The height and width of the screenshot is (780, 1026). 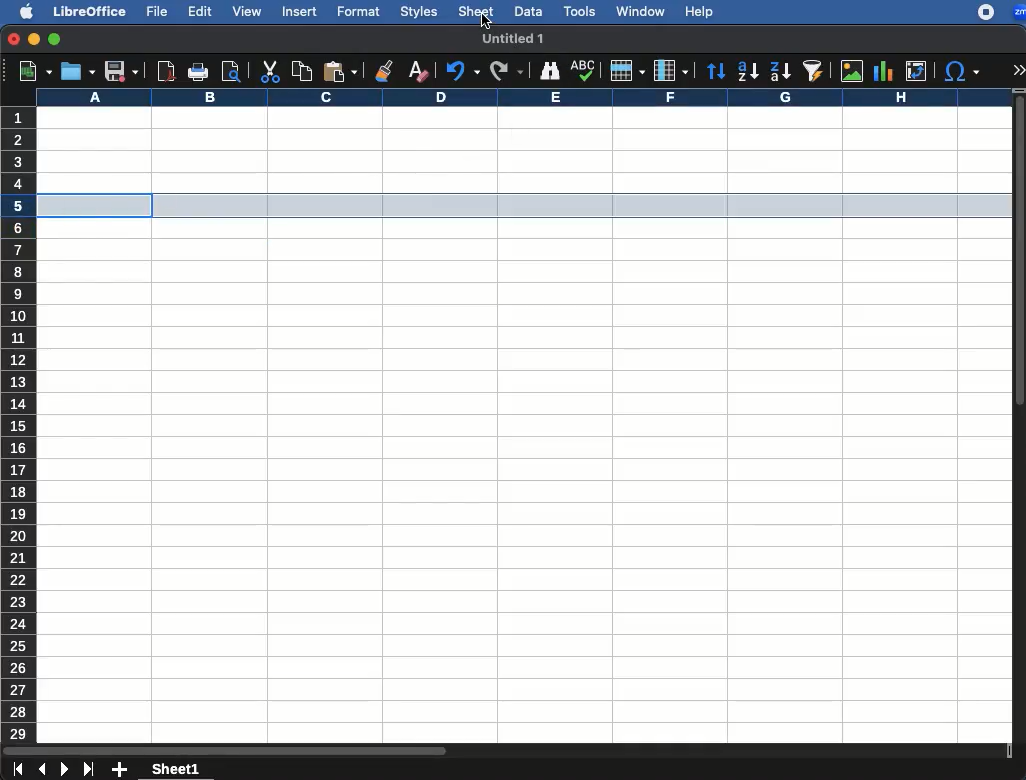 What do you see at coordinates (528, 11) in the screenshot?
I see `data` at bounding box center [528, 11].